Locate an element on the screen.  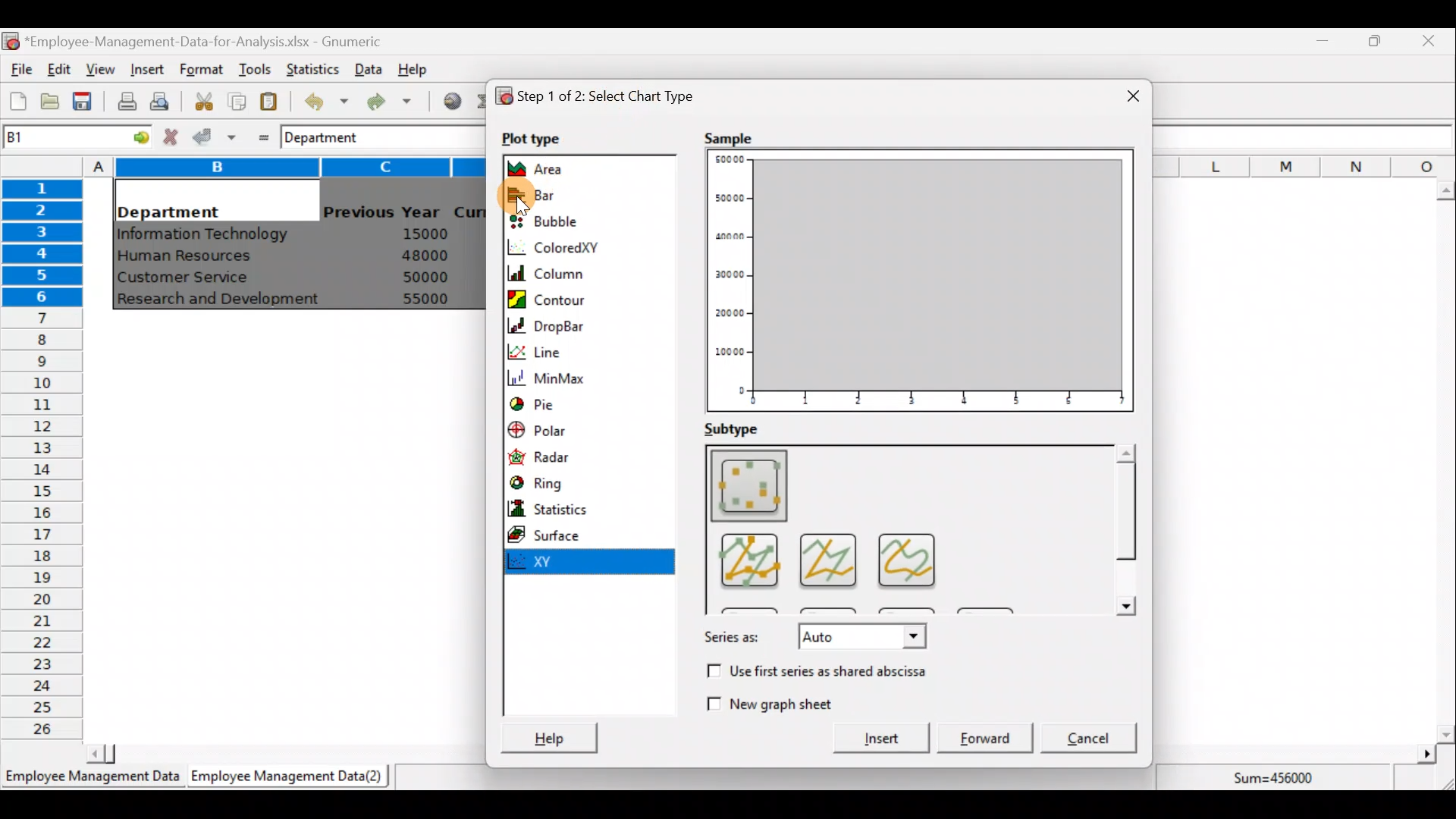
Subtype is located at coordinates (743, 429).